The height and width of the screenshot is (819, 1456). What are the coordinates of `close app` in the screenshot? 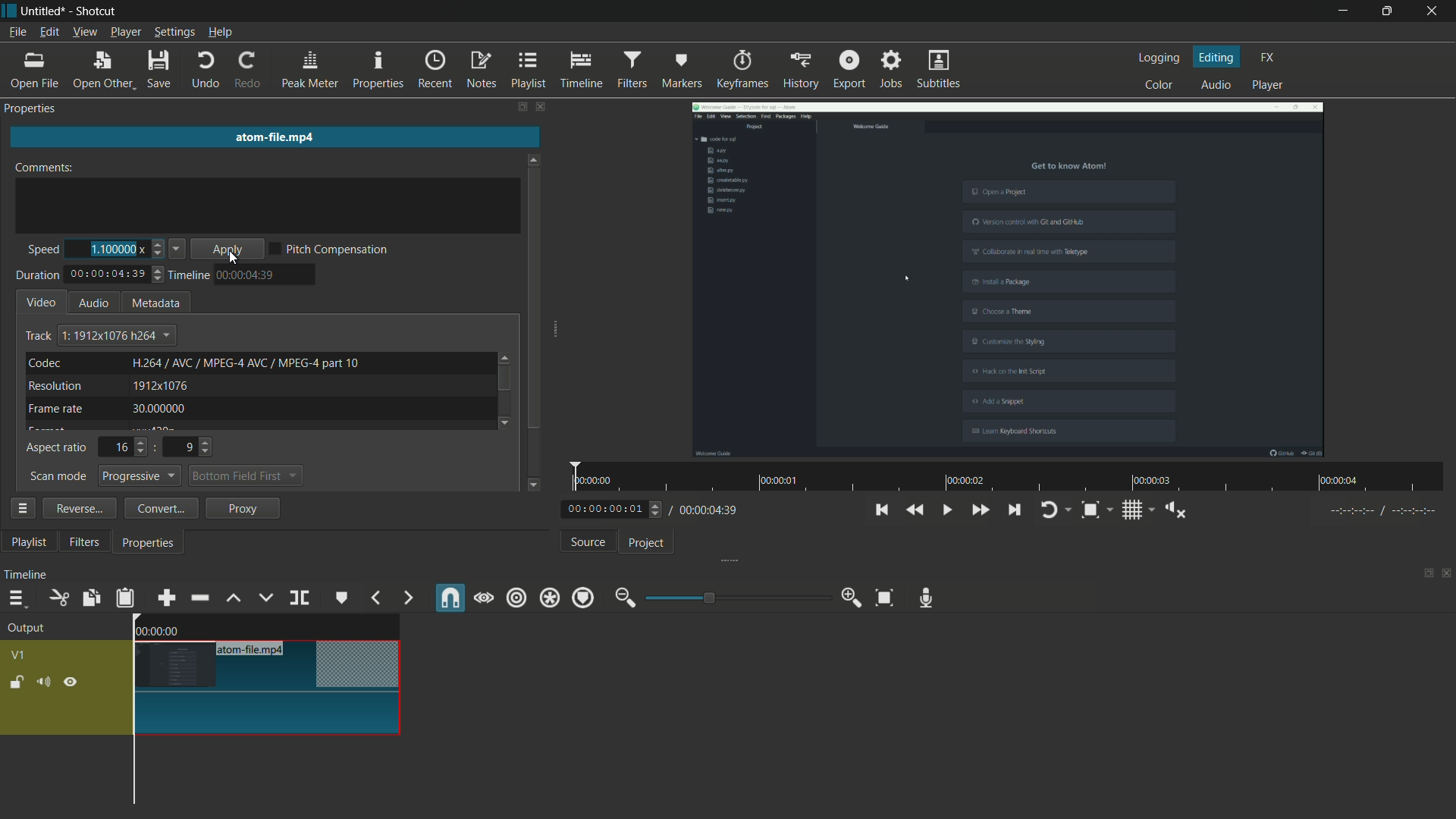 It's located at (1433, 11).